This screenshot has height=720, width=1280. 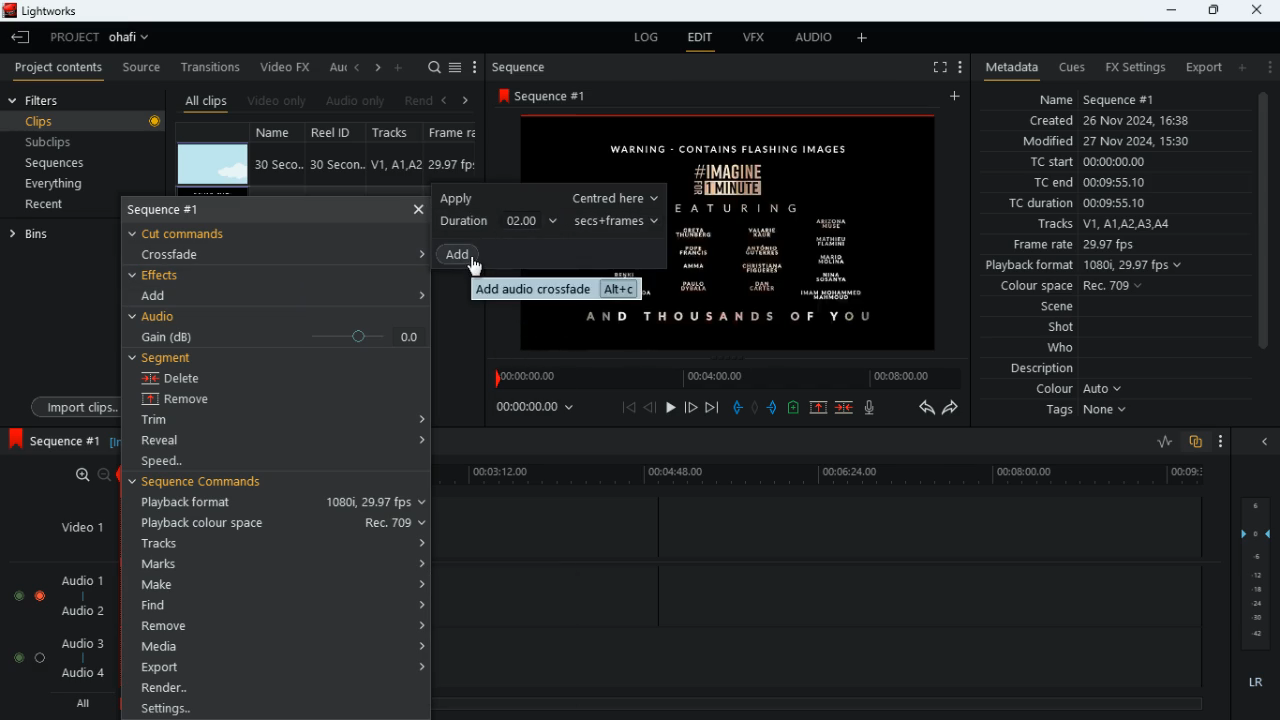 I want to click on overlap, so click(x=1197, y=443).